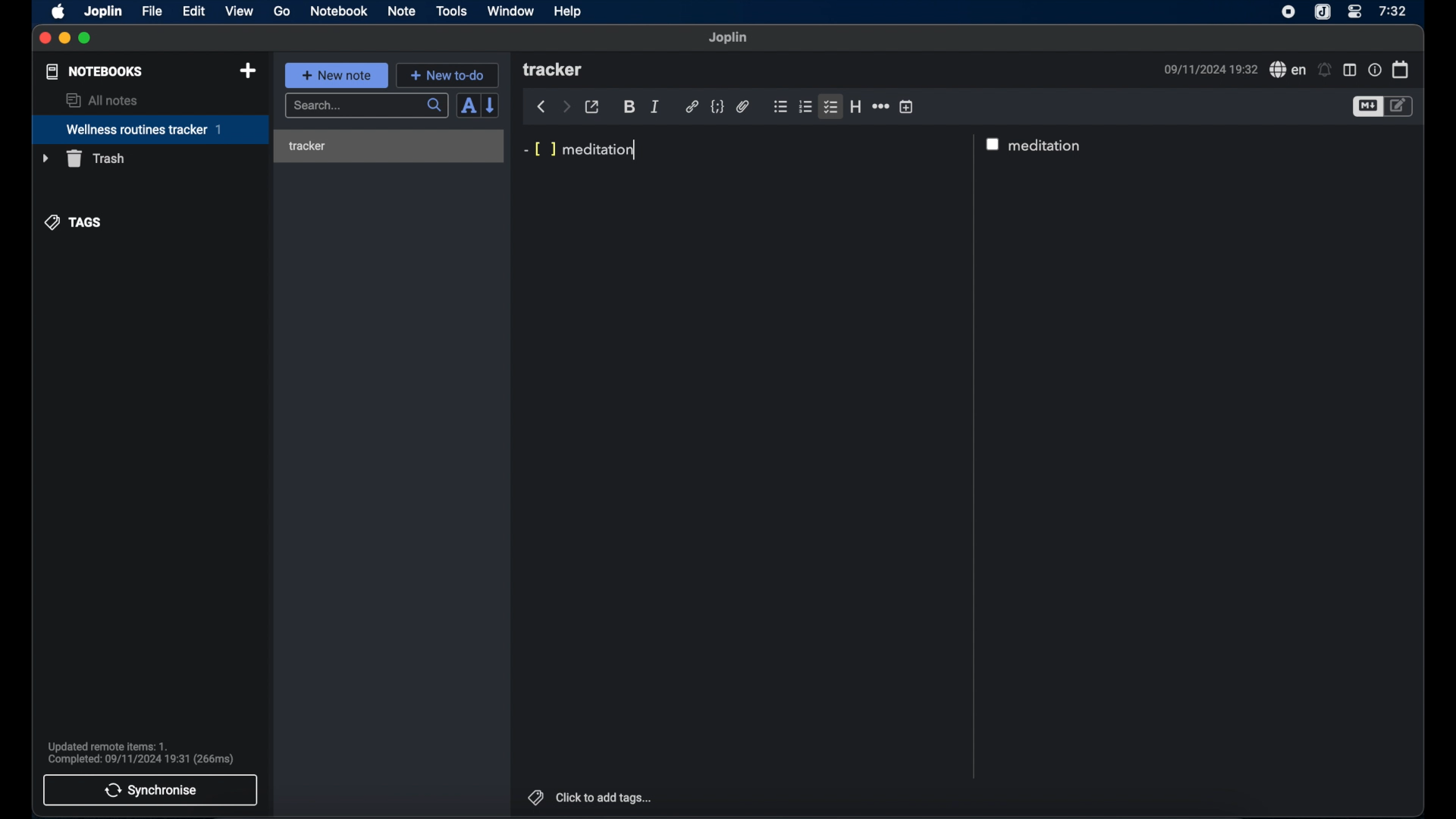 This screenshot has width=1456, height=819. What do you see at coordinates (1208, 69) in the screenshot?
I see `09/11/2024 19:32` at bounding box center [1208, 69].